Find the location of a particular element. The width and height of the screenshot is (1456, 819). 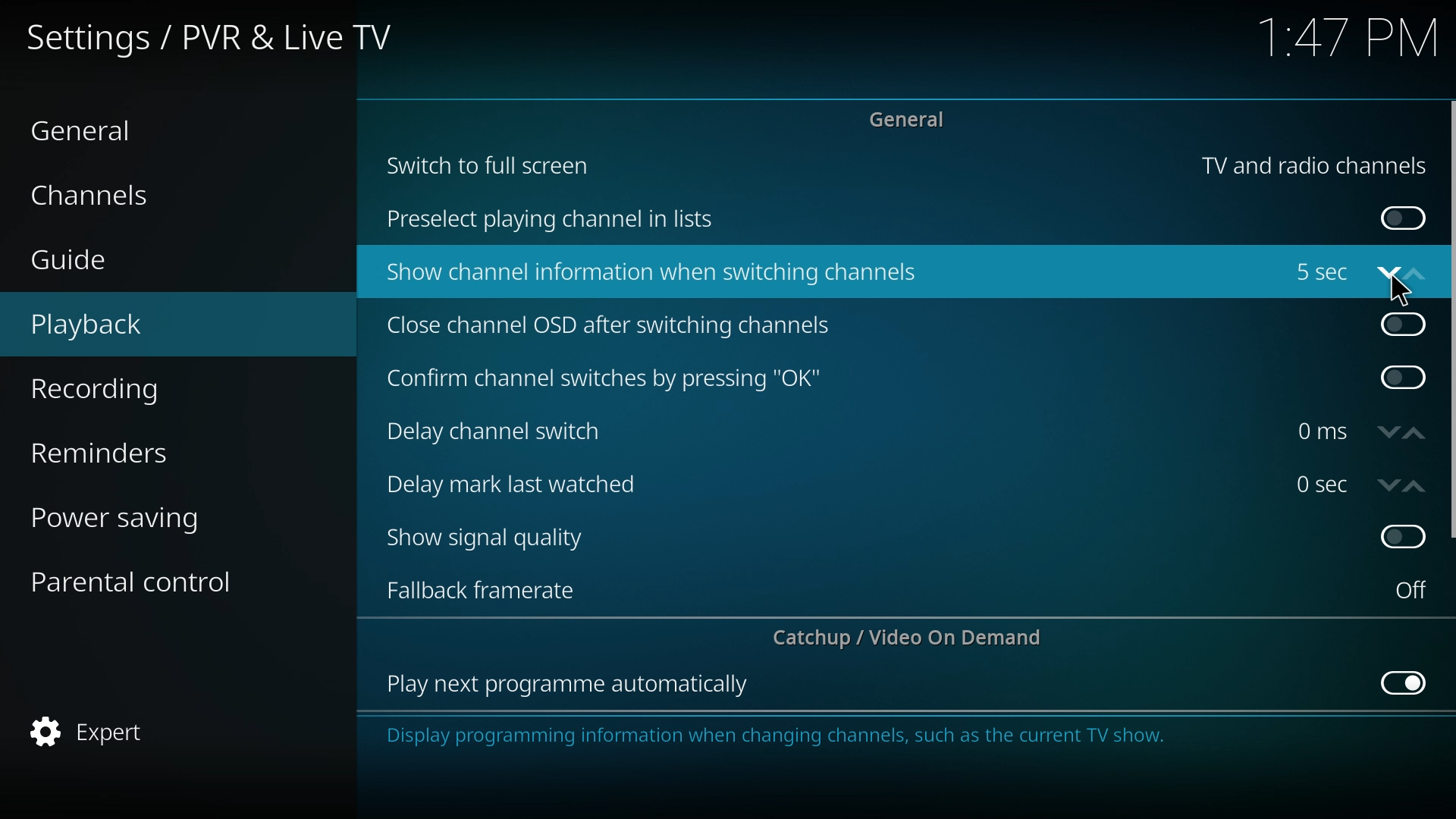

power saving is located at coordinates (140, 516).